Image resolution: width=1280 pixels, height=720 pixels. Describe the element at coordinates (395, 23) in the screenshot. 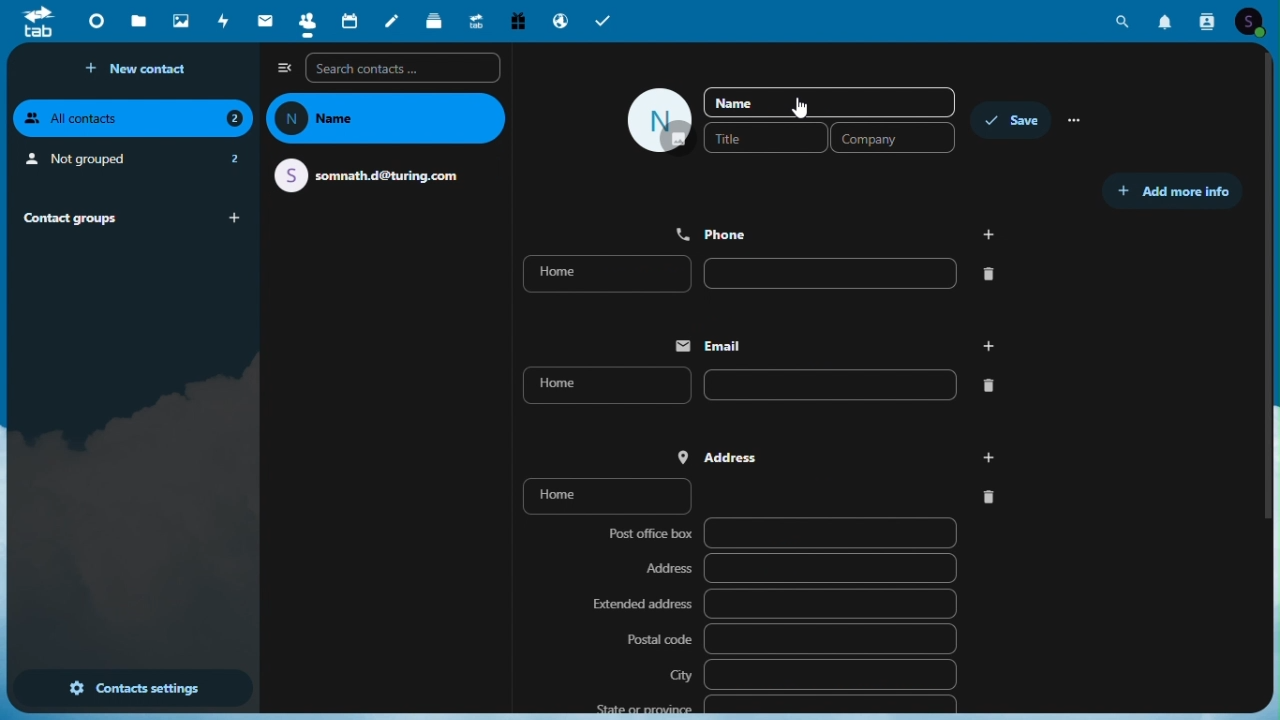

I see `Notes` at that location.